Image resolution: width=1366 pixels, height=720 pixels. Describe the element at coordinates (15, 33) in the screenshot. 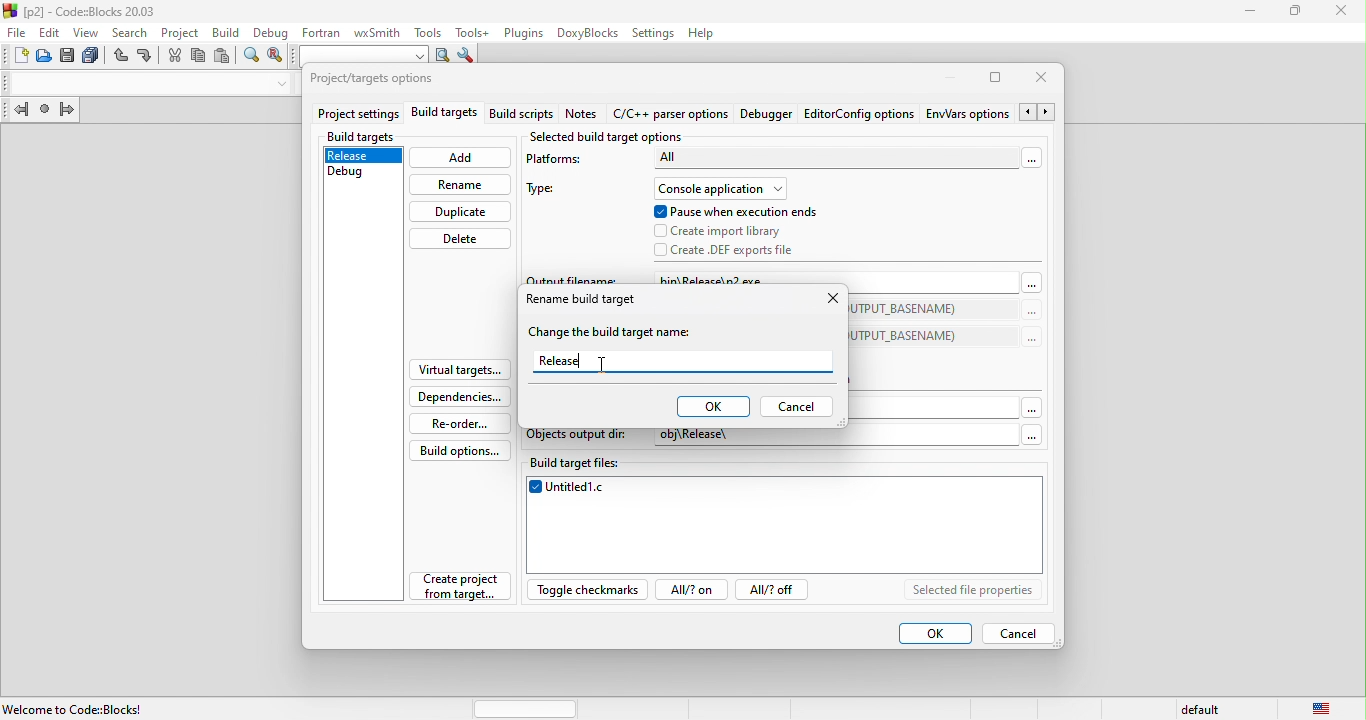

I see `file` at that location.